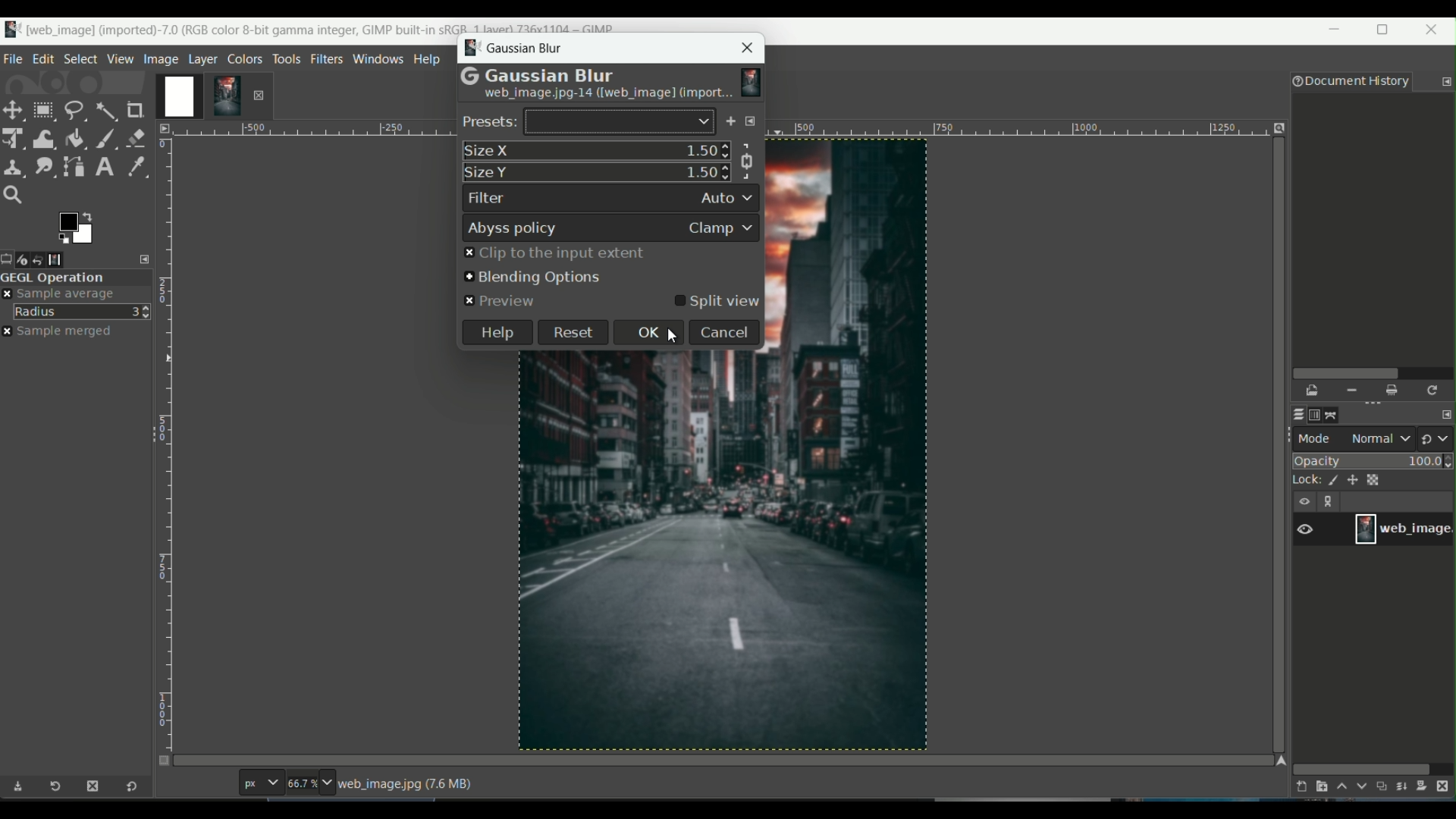  What do you see at coordinates (553, 254) in the screenshot?
I see `clip to the input extent` at bounding box center [553, 254].